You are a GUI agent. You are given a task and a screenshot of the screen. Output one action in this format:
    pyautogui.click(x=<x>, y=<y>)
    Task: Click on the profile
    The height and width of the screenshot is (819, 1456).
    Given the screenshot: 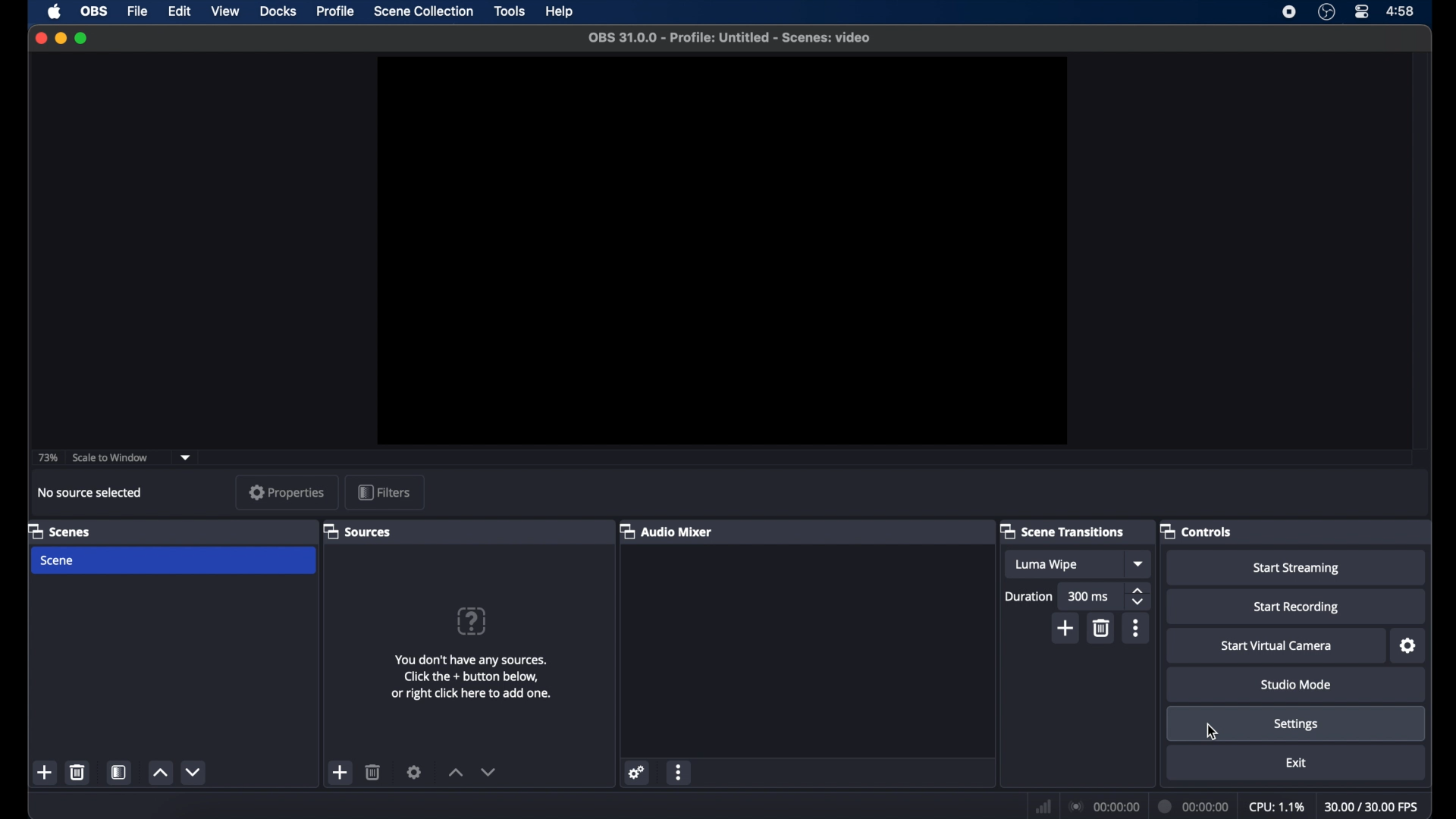 What is the action you would take?
    pyautogui.click(x=337, y=11)
    